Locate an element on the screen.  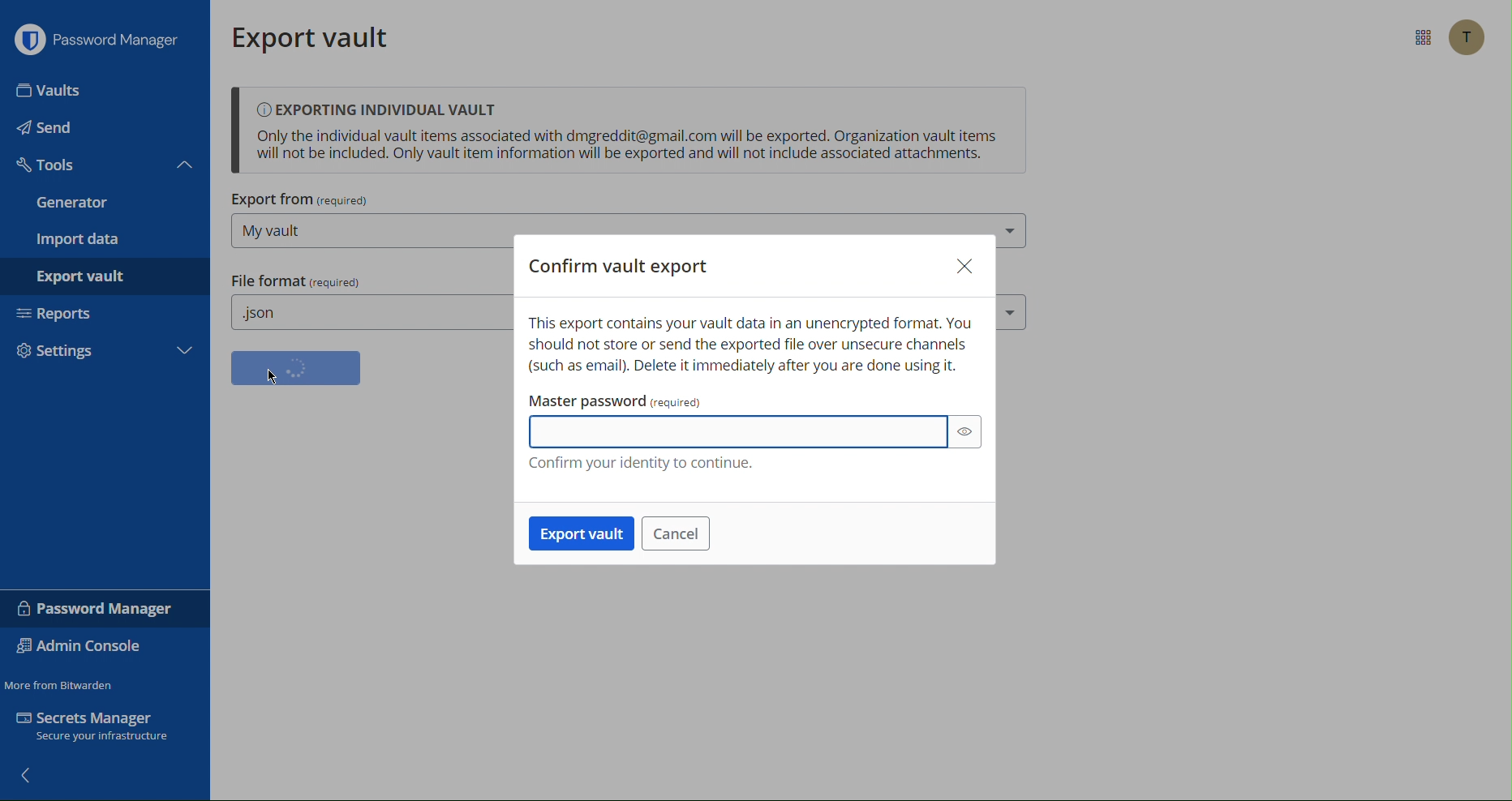
More Options is located at coordinates (1422, 38).